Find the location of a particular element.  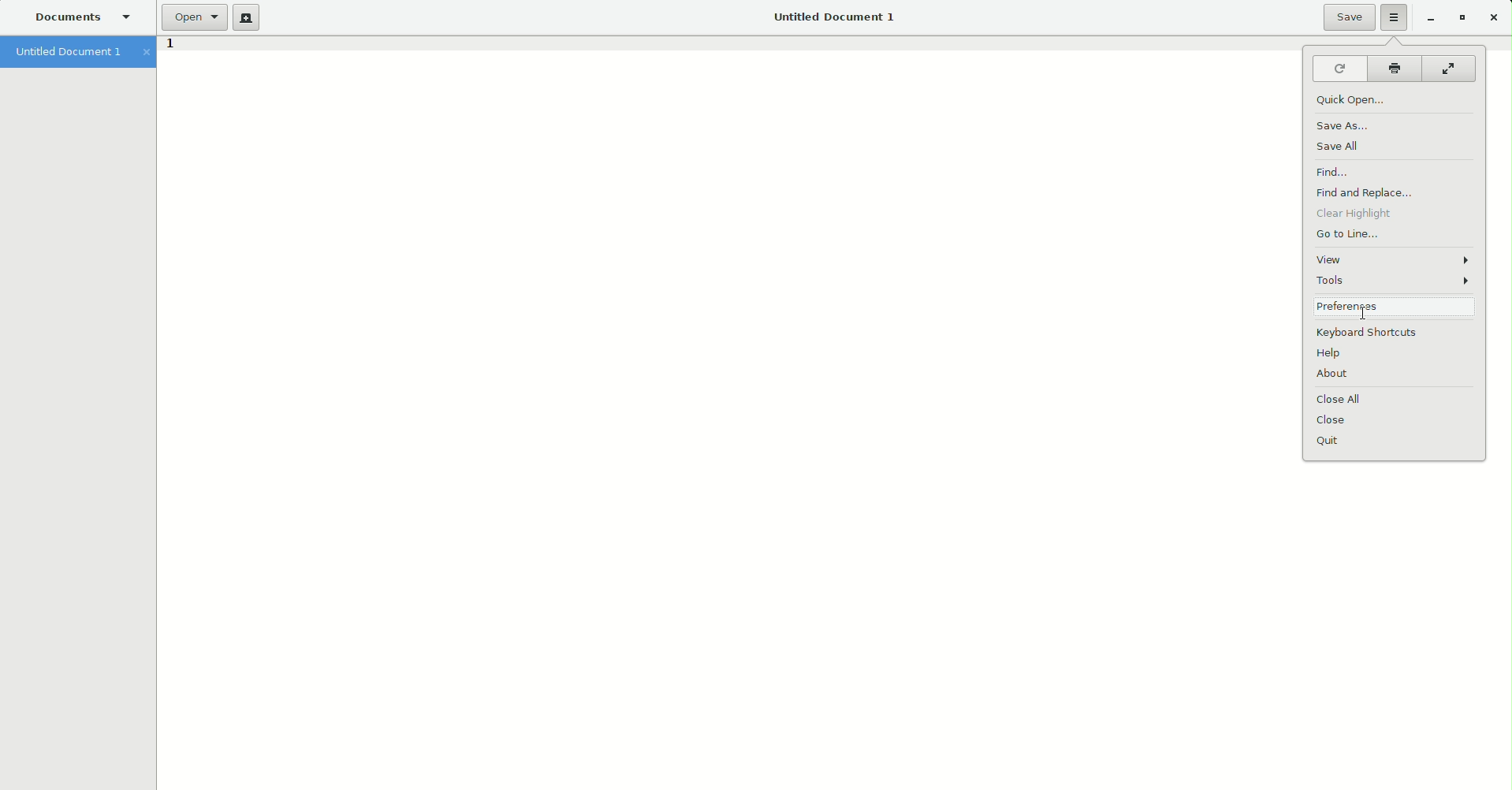

View is located at coordinates (1395, 259).